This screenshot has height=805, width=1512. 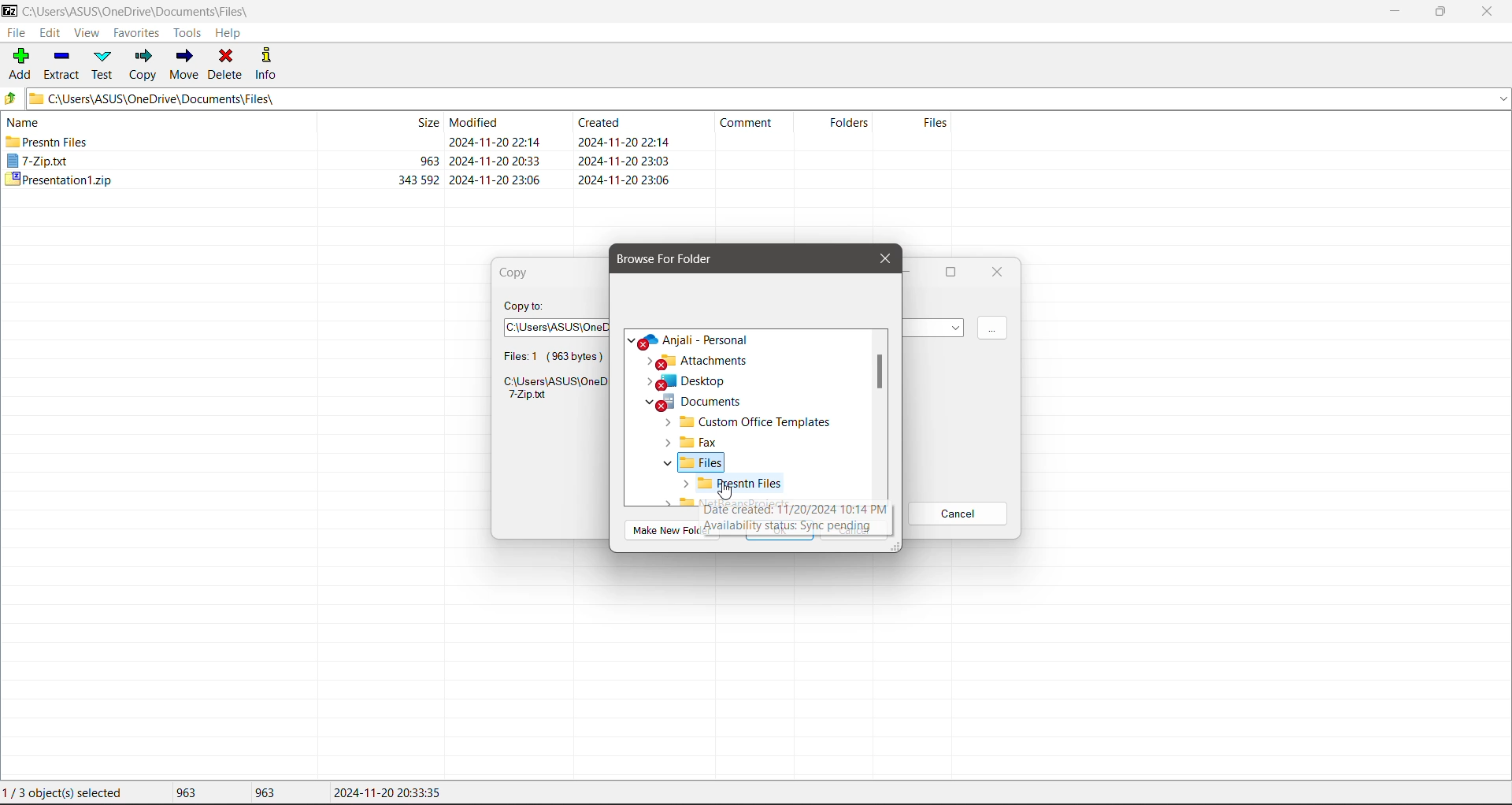 I want to click on Cancel, so click(x=960, y=514).